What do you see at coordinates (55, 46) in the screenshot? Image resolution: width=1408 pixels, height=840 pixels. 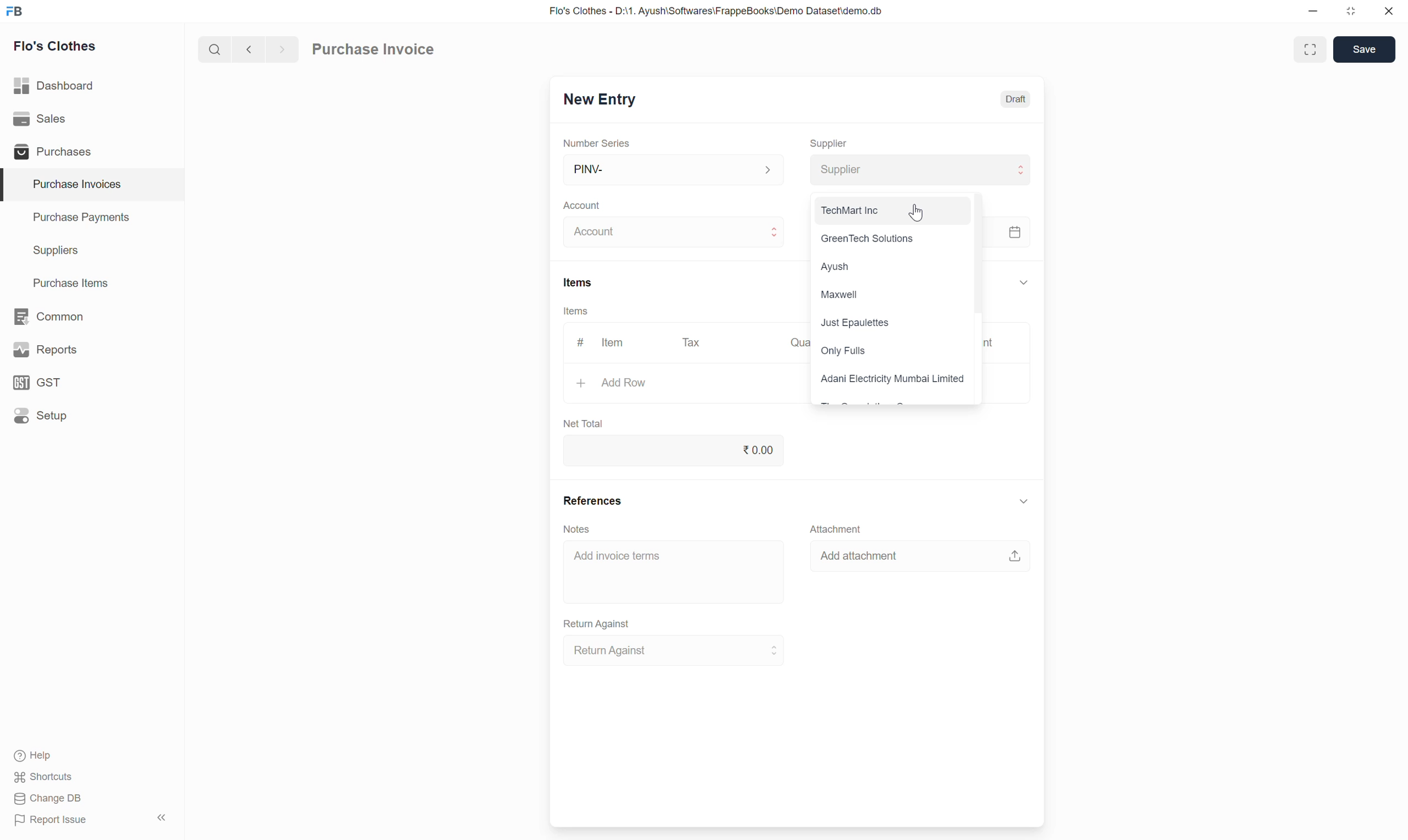 I see `Flo's Clothes` at bounding box center [55, 46].